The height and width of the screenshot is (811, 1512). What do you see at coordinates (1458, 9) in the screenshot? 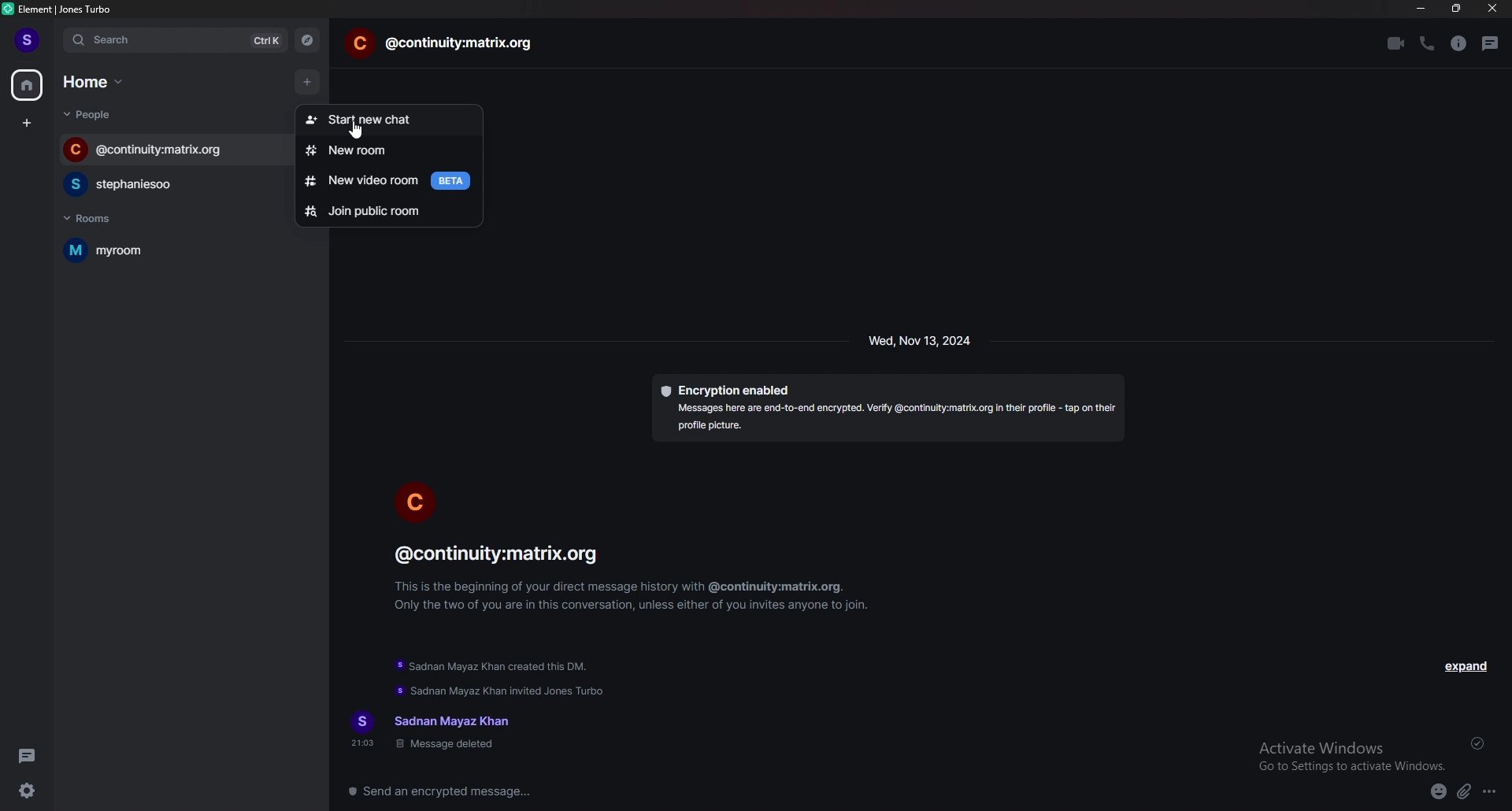
I see `resize` at bounding box center [1458, 9].